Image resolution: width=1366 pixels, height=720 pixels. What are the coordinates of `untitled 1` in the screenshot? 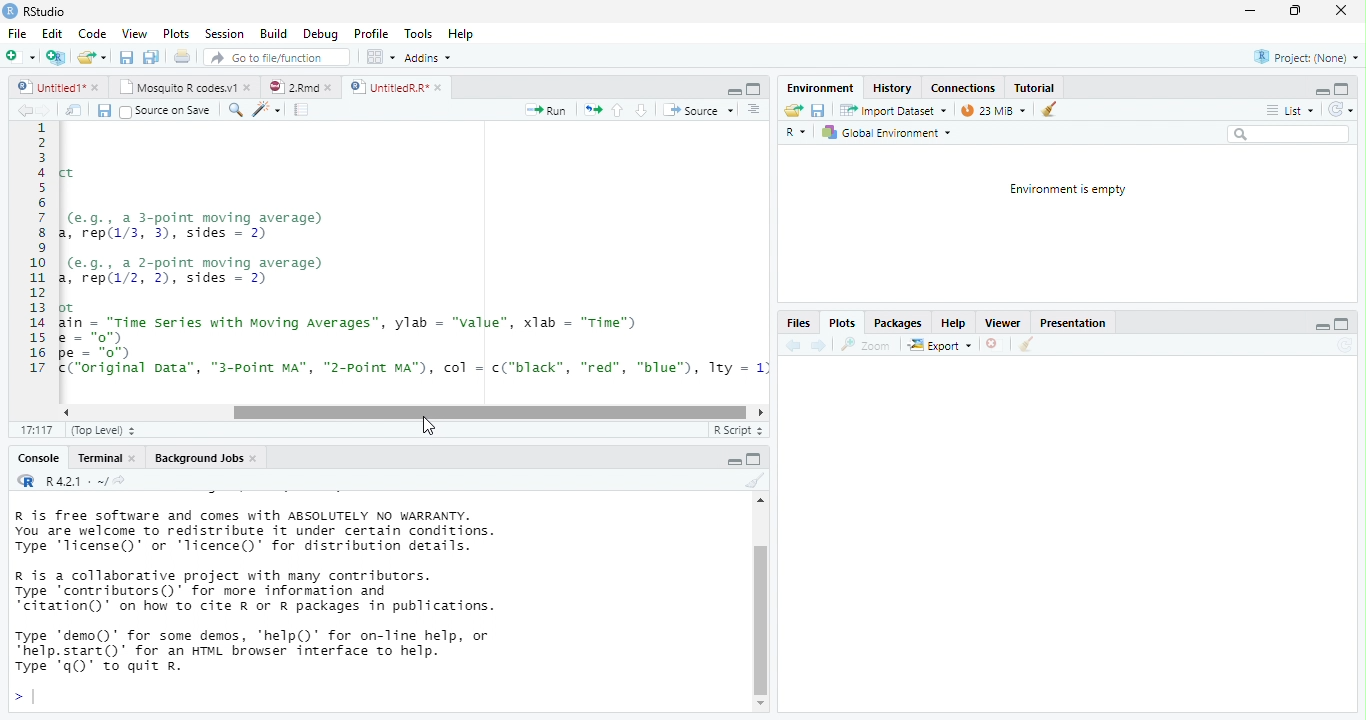 It's located at (46, 86).